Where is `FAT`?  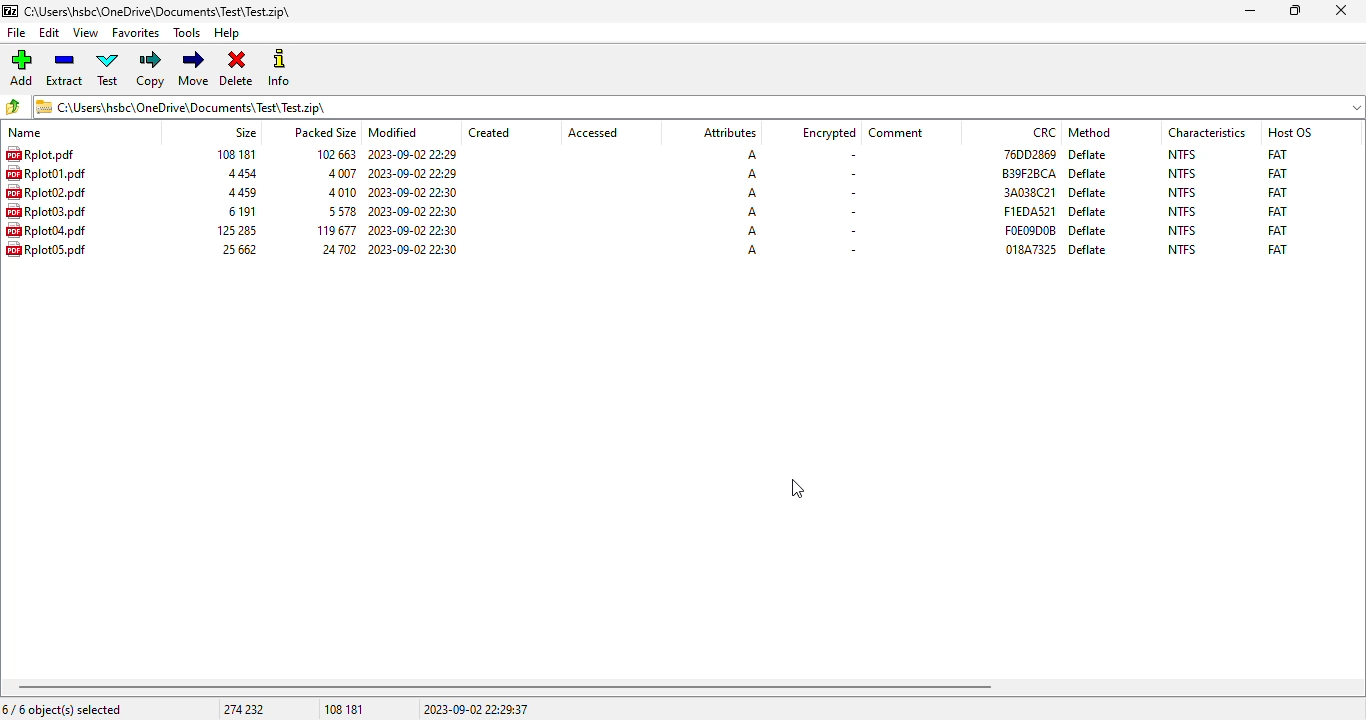 FAT is located at coordinates (1277, 249).